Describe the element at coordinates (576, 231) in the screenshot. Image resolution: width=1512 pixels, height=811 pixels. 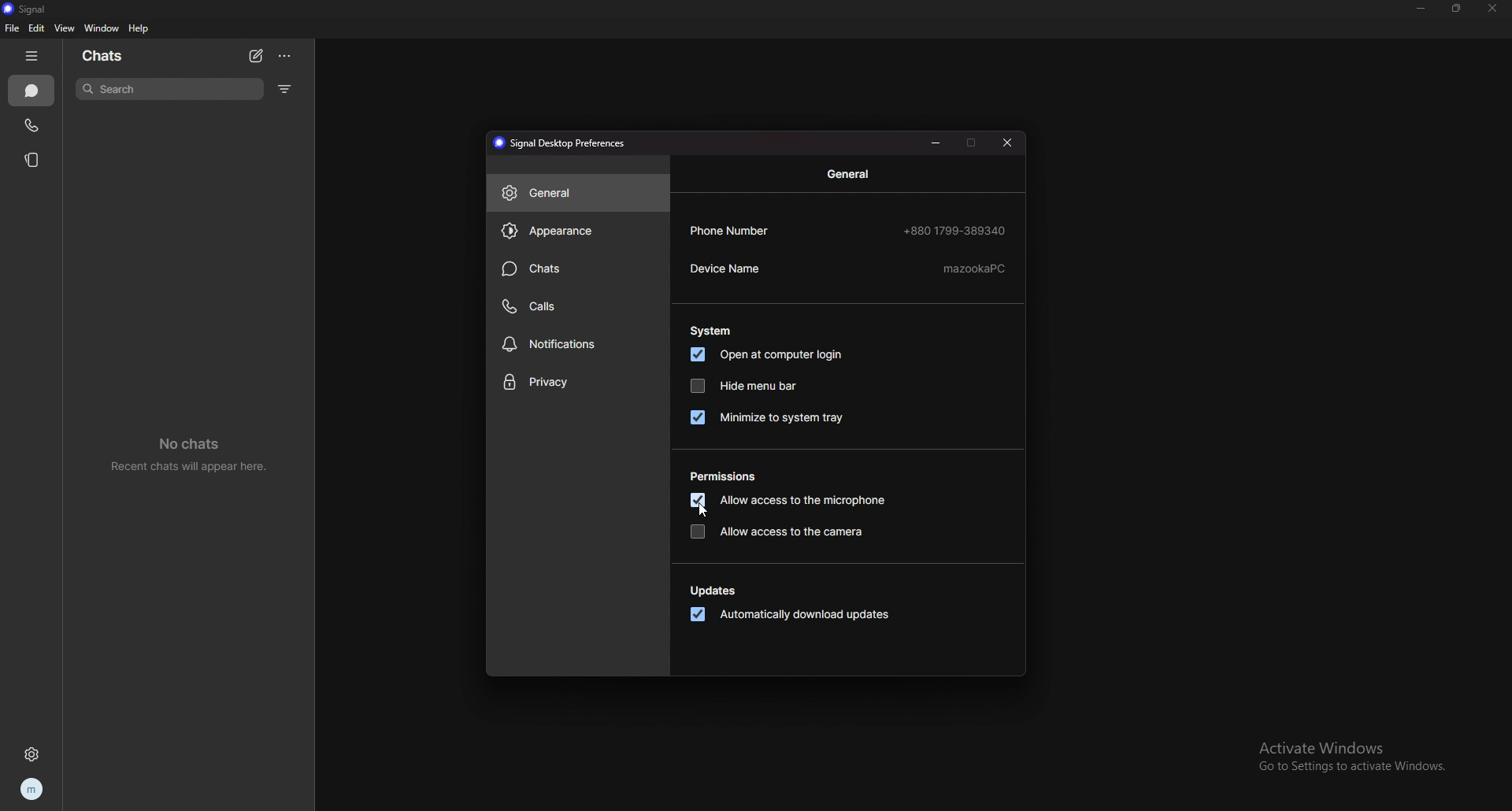
I see `appearance` at that location.